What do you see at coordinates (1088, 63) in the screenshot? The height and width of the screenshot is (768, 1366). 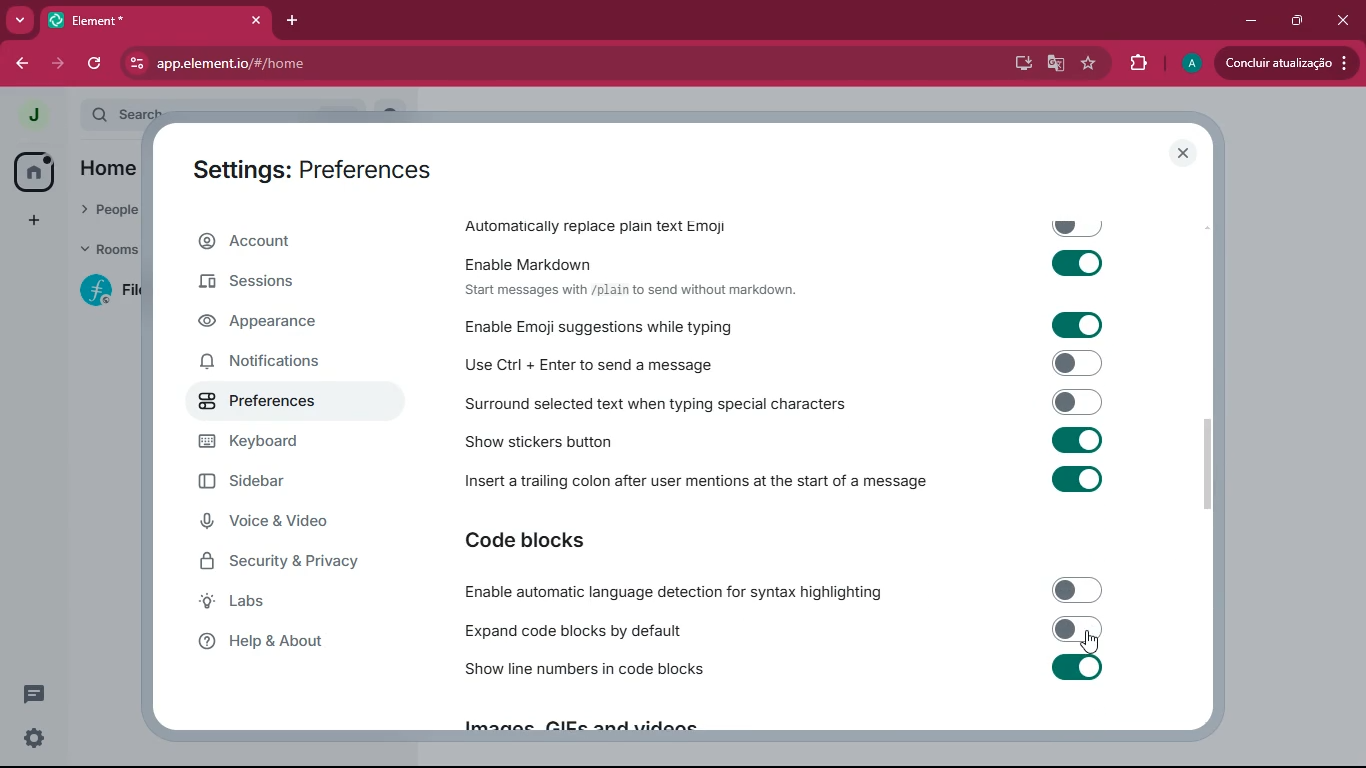 I see `favourite` at bounding box center [1088, 63].